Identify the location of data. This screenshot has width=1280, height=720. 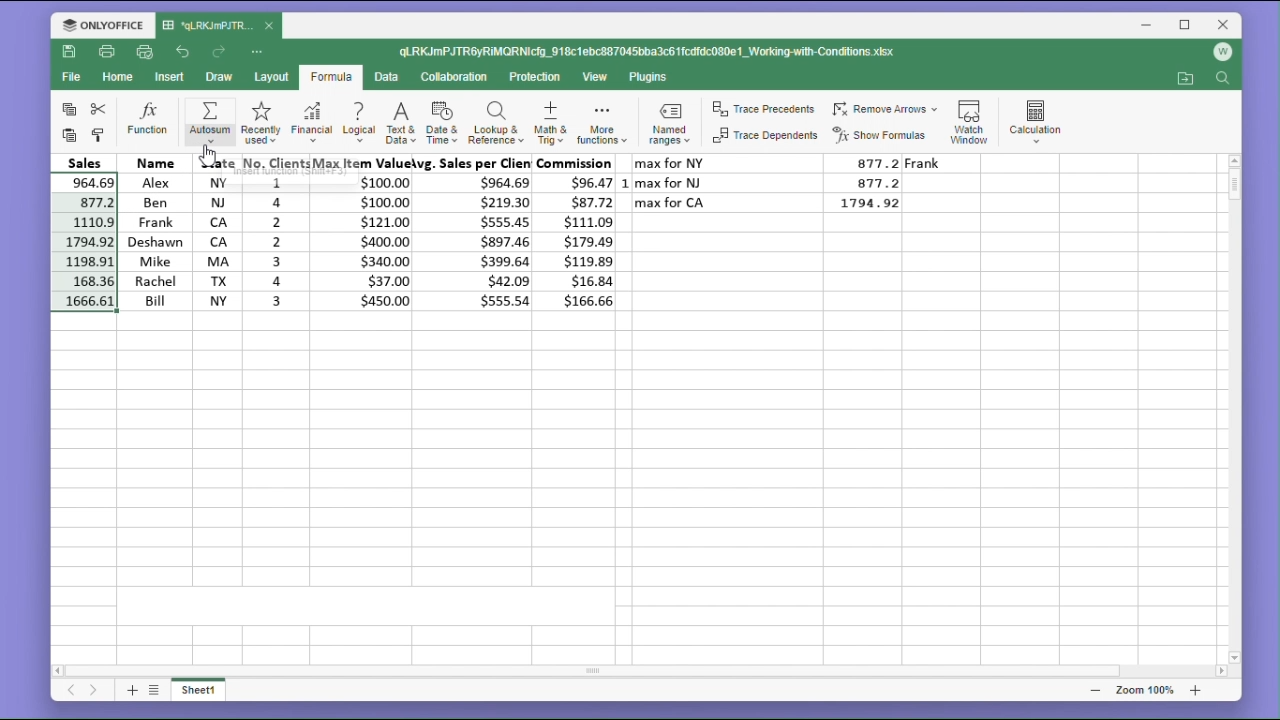
(390, 77).